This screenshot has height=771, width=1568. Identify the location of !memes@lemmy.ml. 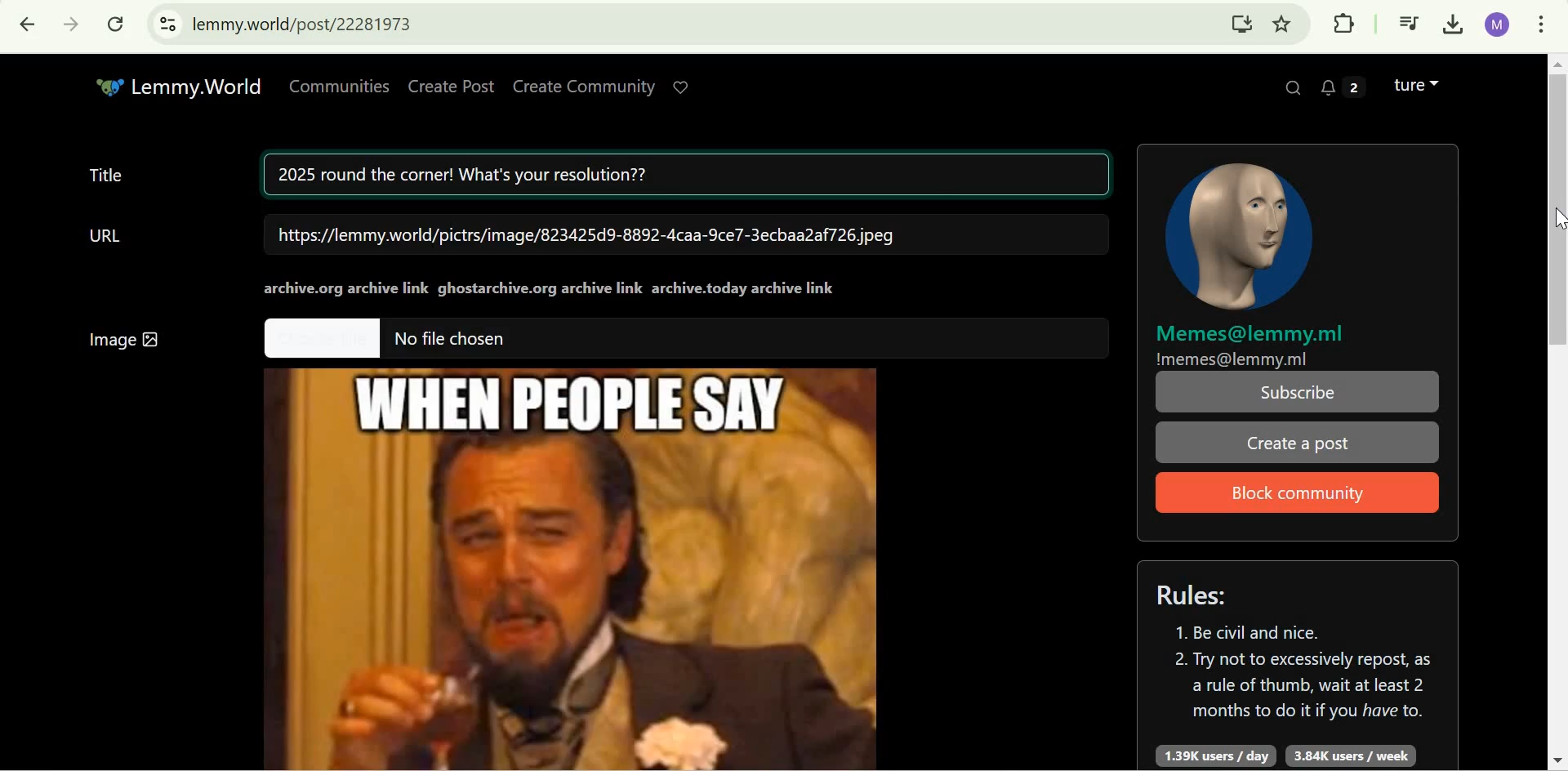
(1232, 359).